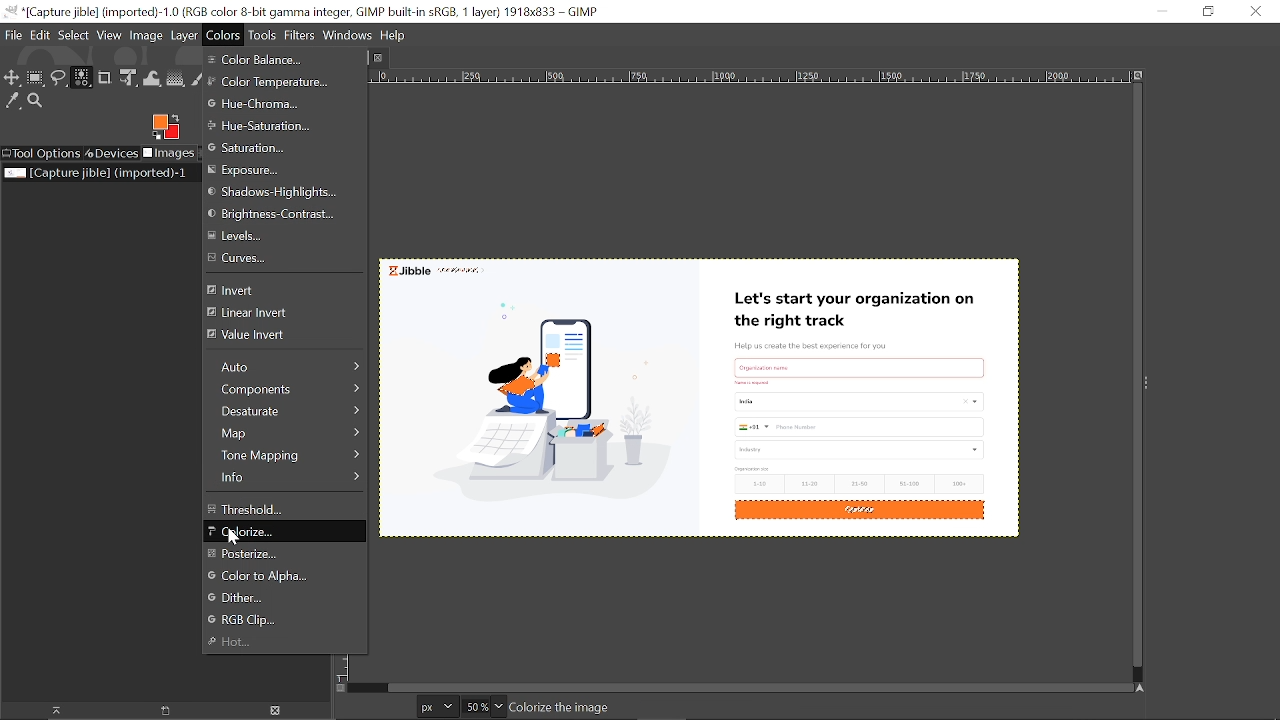 The height and width of the screenshot is (720, 1280). I want to click on Horizontal labe;, so click(735, 78).